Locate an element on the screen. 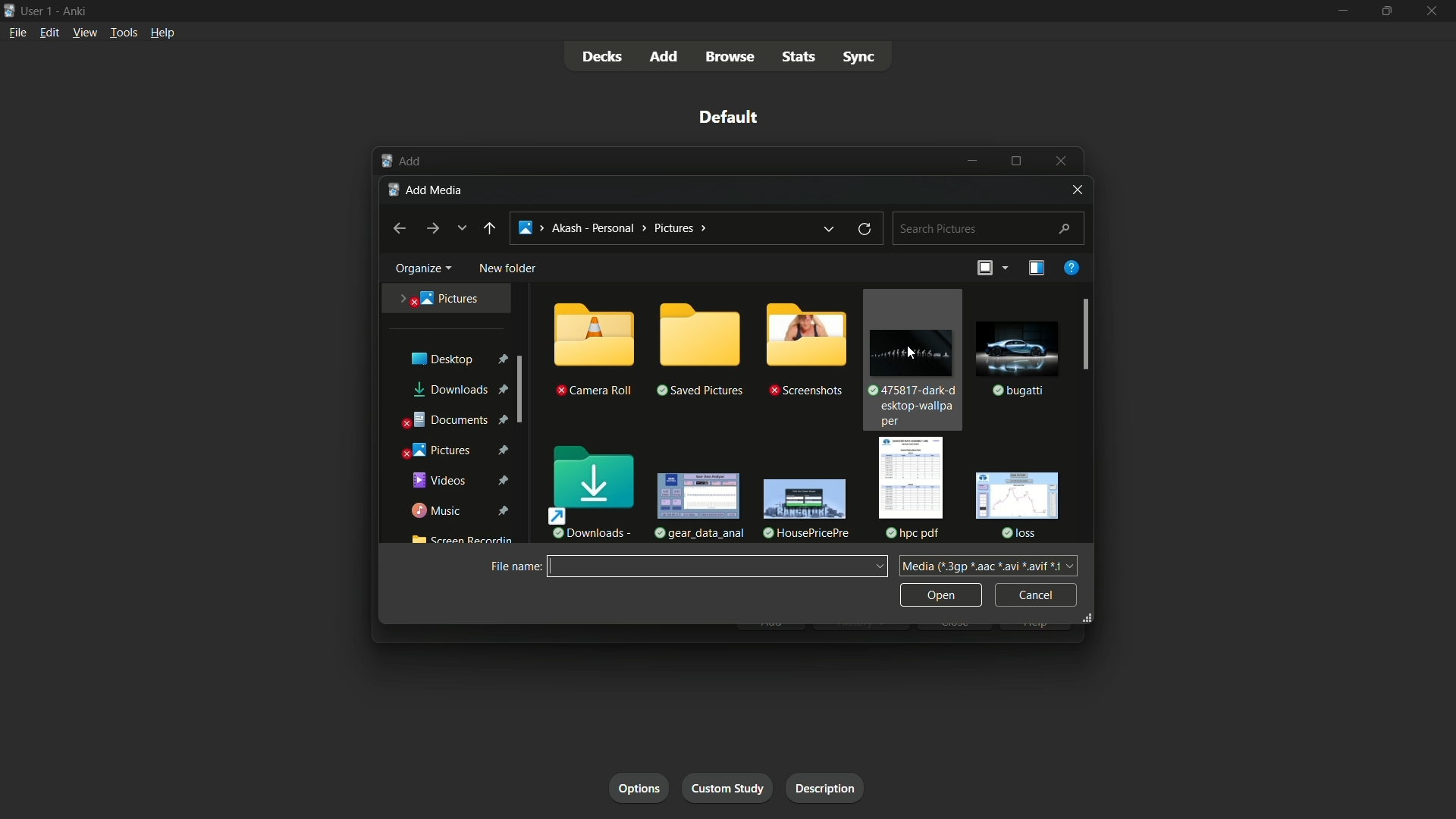  scroll bar is located at coordinates (521, 388).